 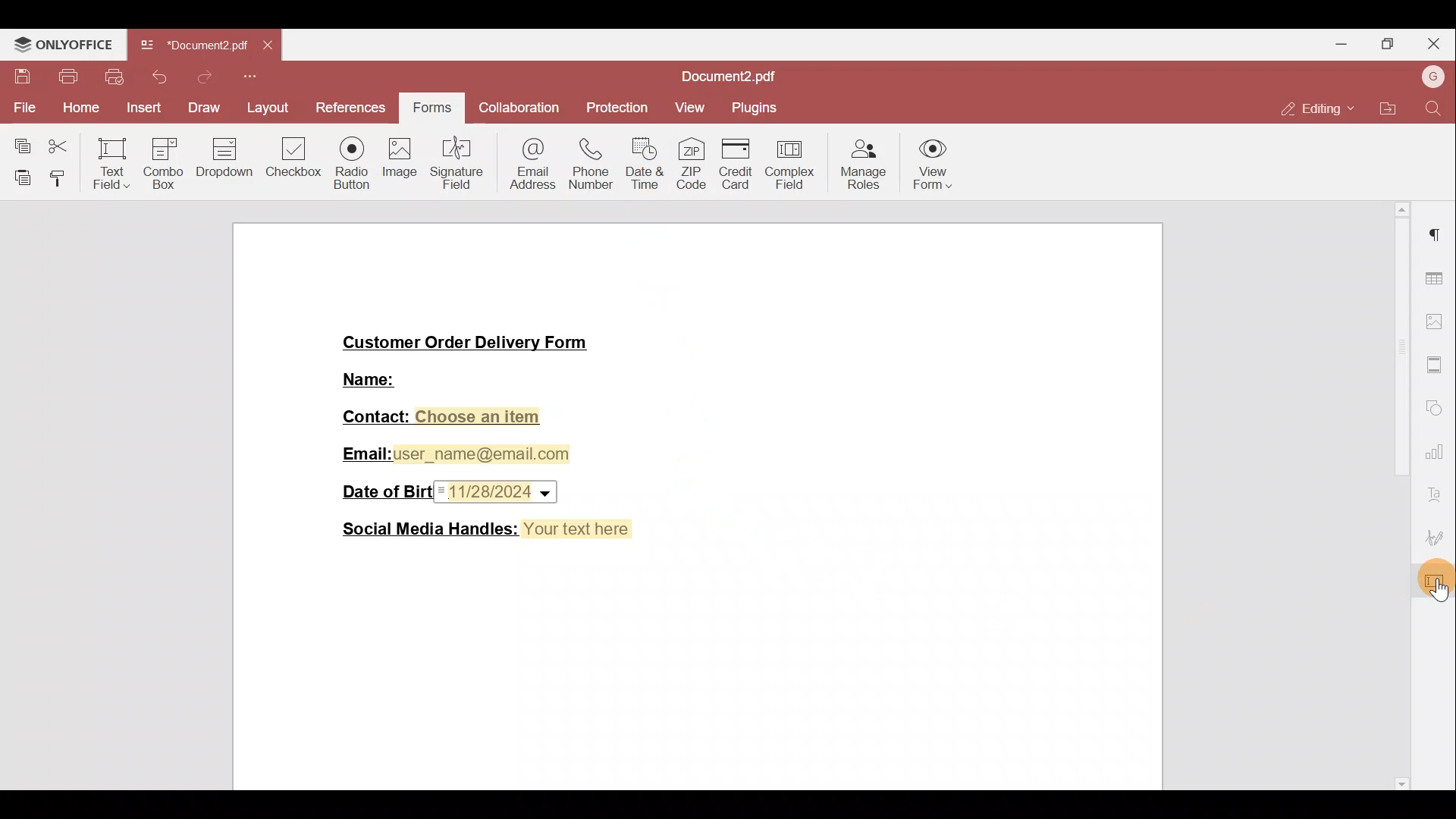 What do you see at coordinates (18, 174) in the screenshot?
I see `Paste` at bounding box center [18, 174].